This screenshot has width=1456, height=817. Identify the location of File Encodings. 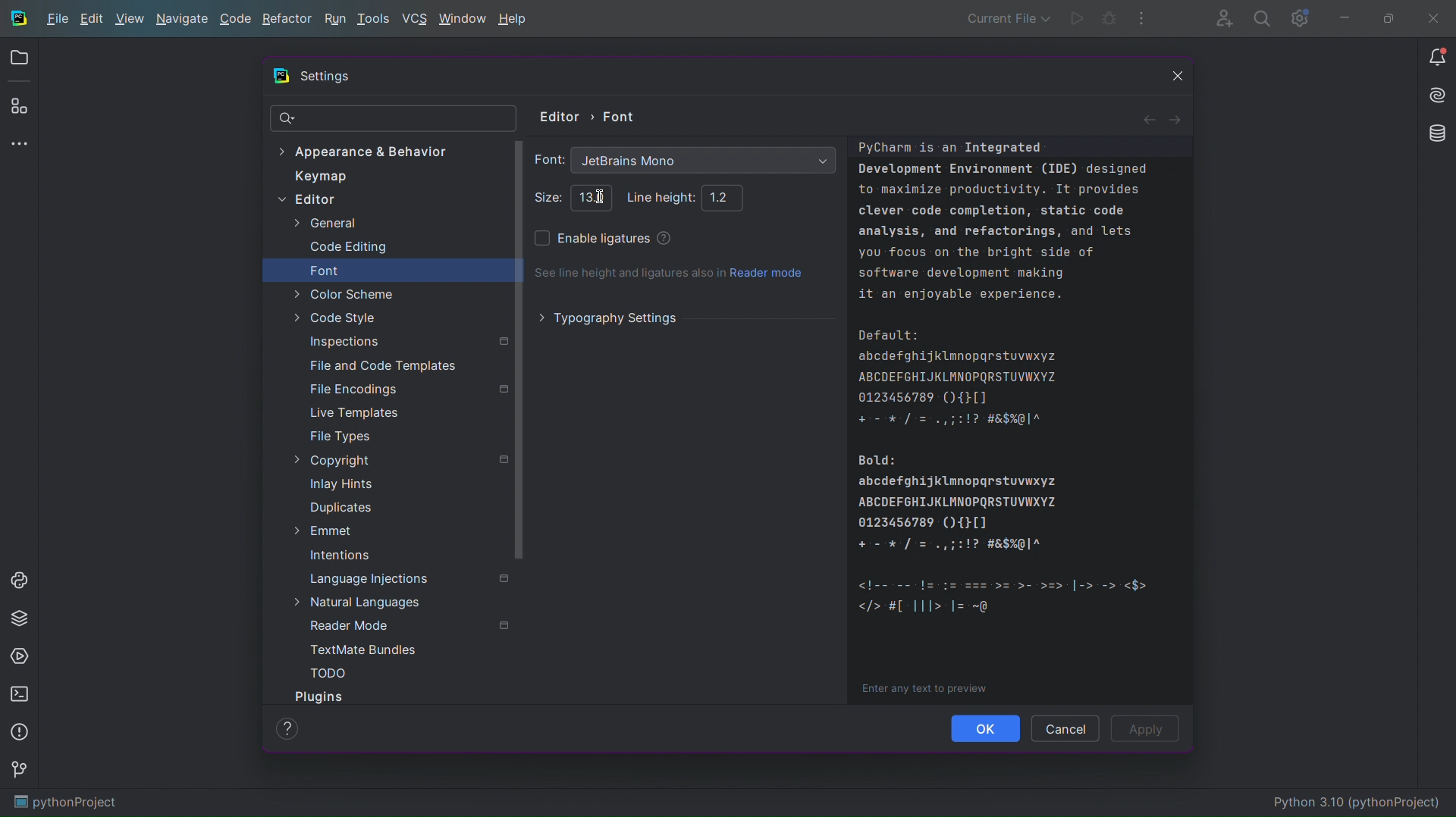
(407, 389).